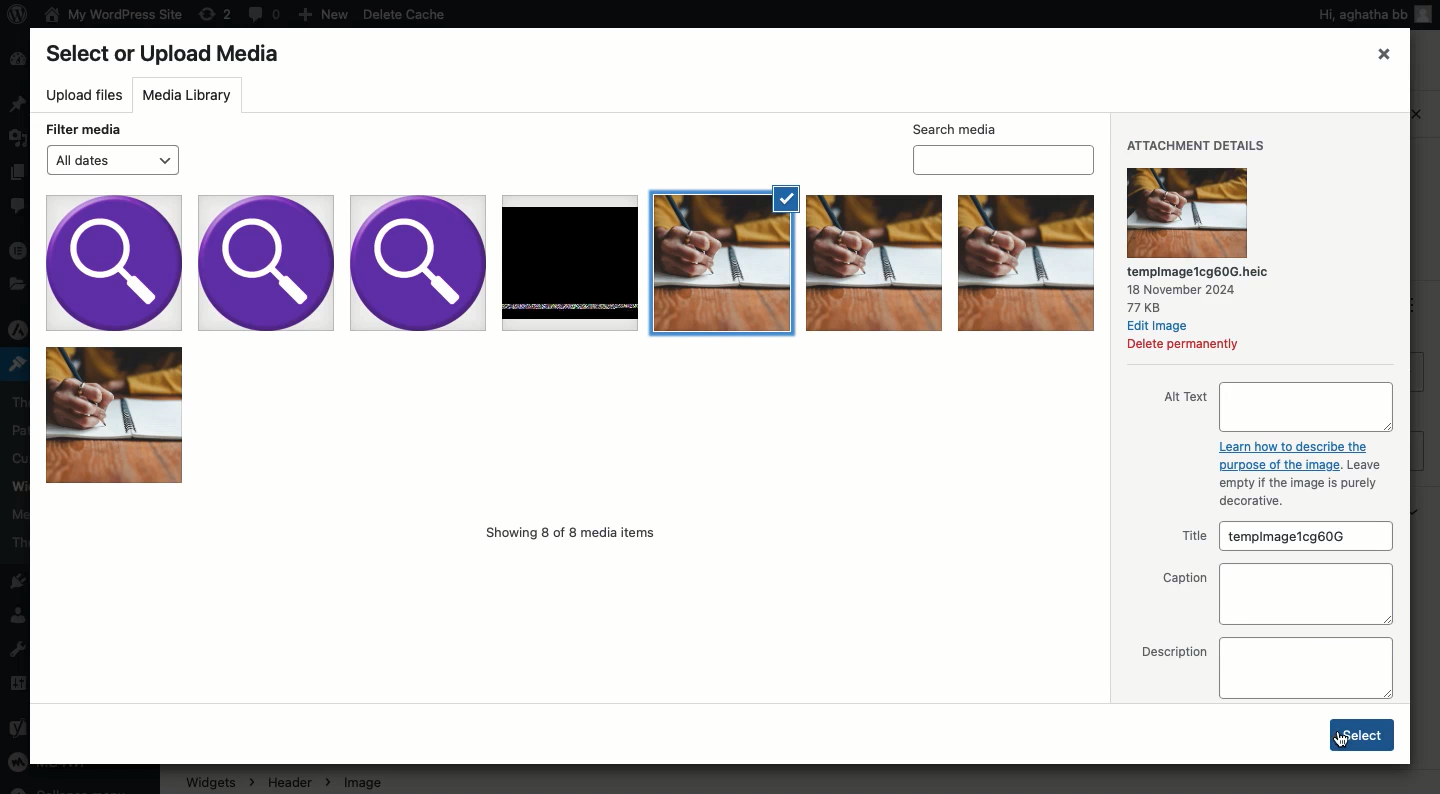  What do you see at coordinates (169, 55) in the screenshot?
I see `Select or upload media` at bounding box center [169, 55].